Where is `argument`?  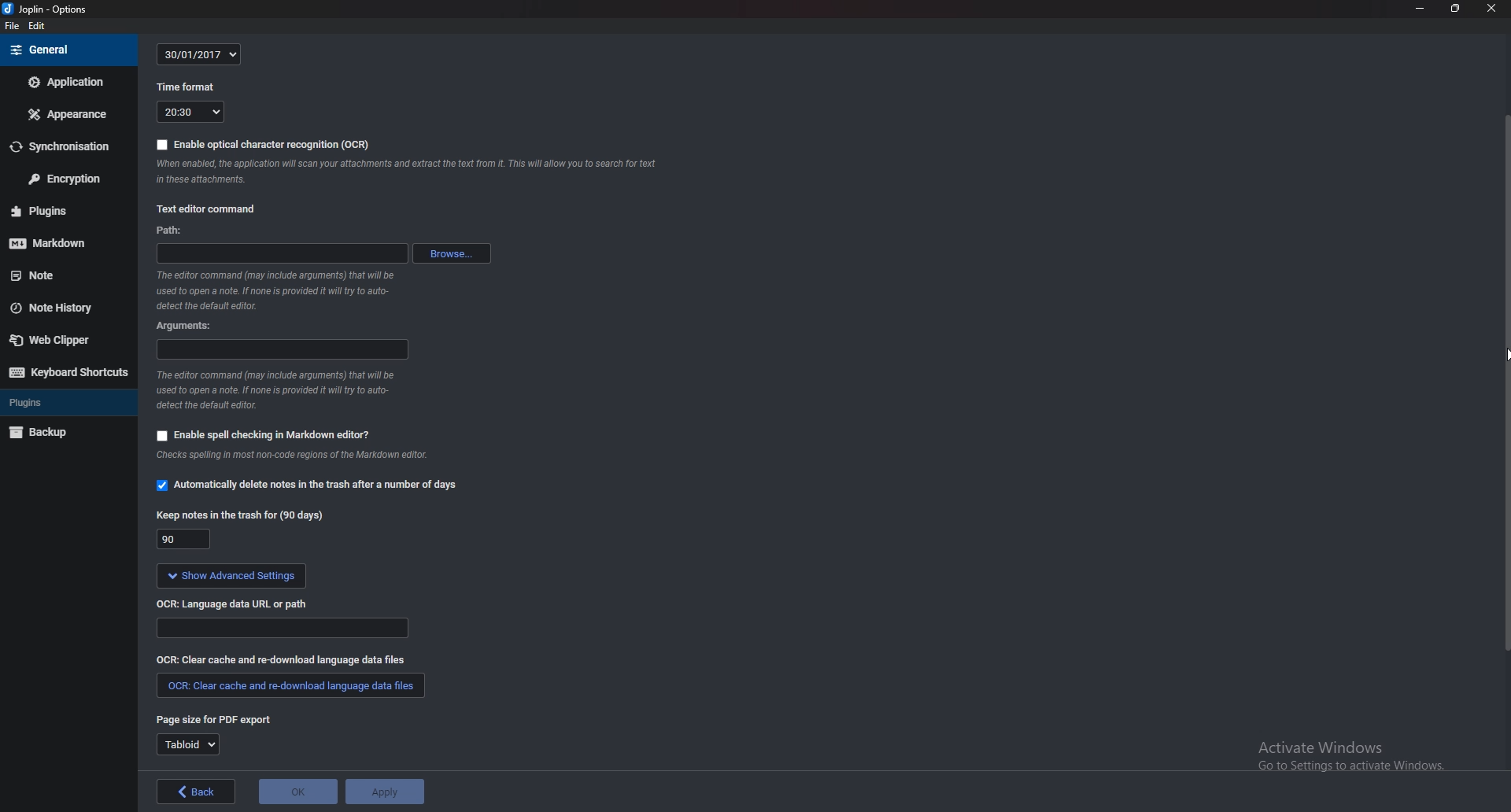
argument is located at coordinates (189, 327).